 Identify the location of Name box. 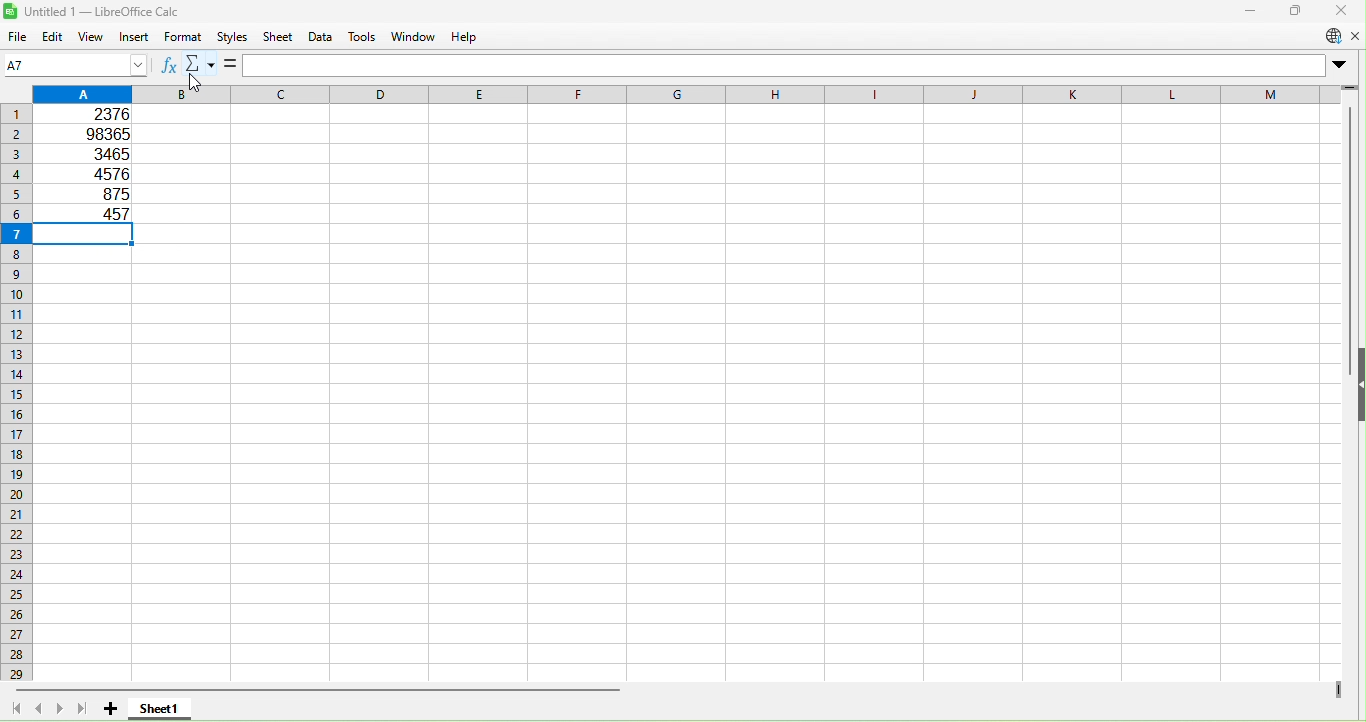
(123, 63).